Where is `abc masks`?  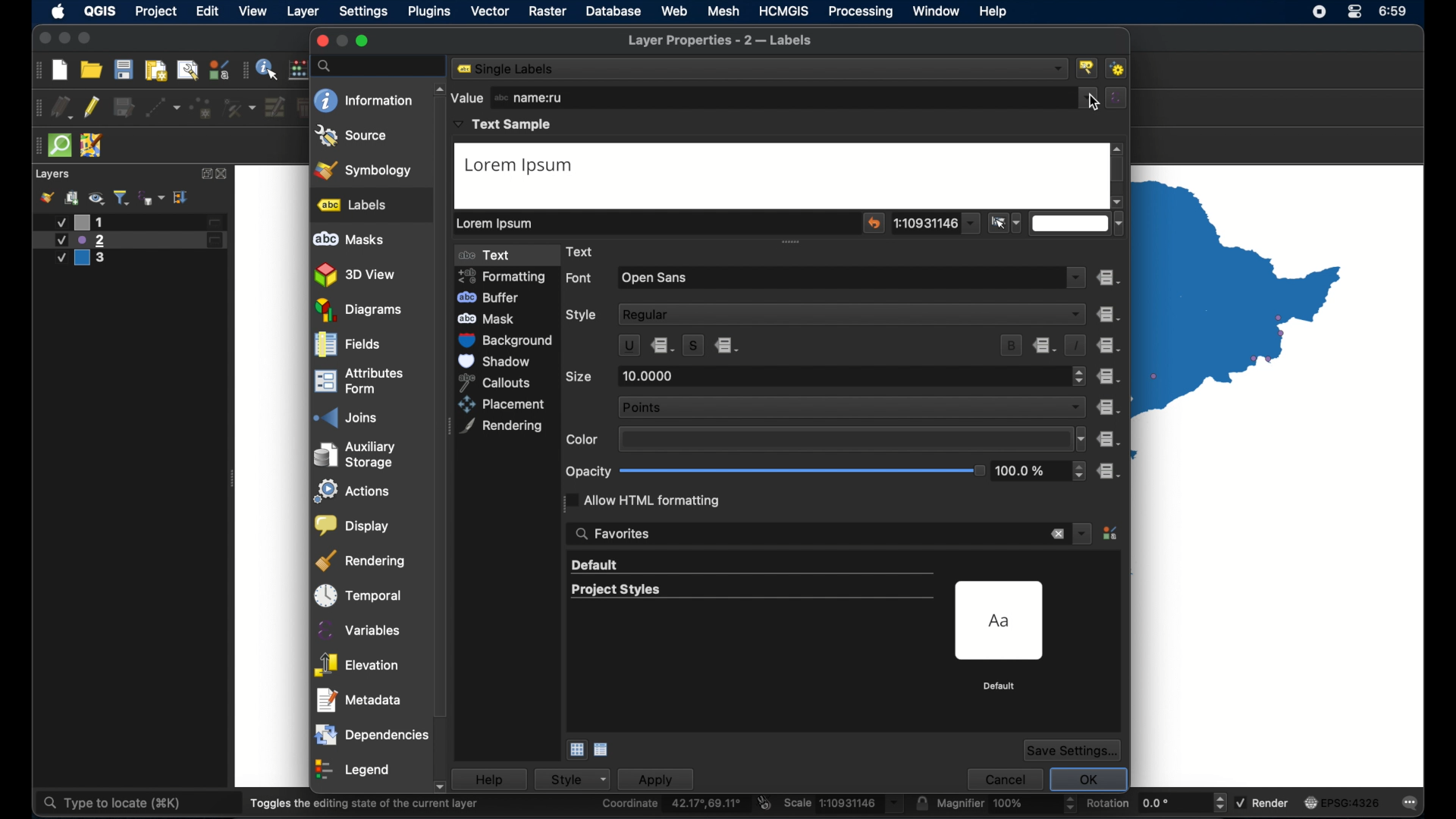 abc masks is located at coordinates (350, 240).